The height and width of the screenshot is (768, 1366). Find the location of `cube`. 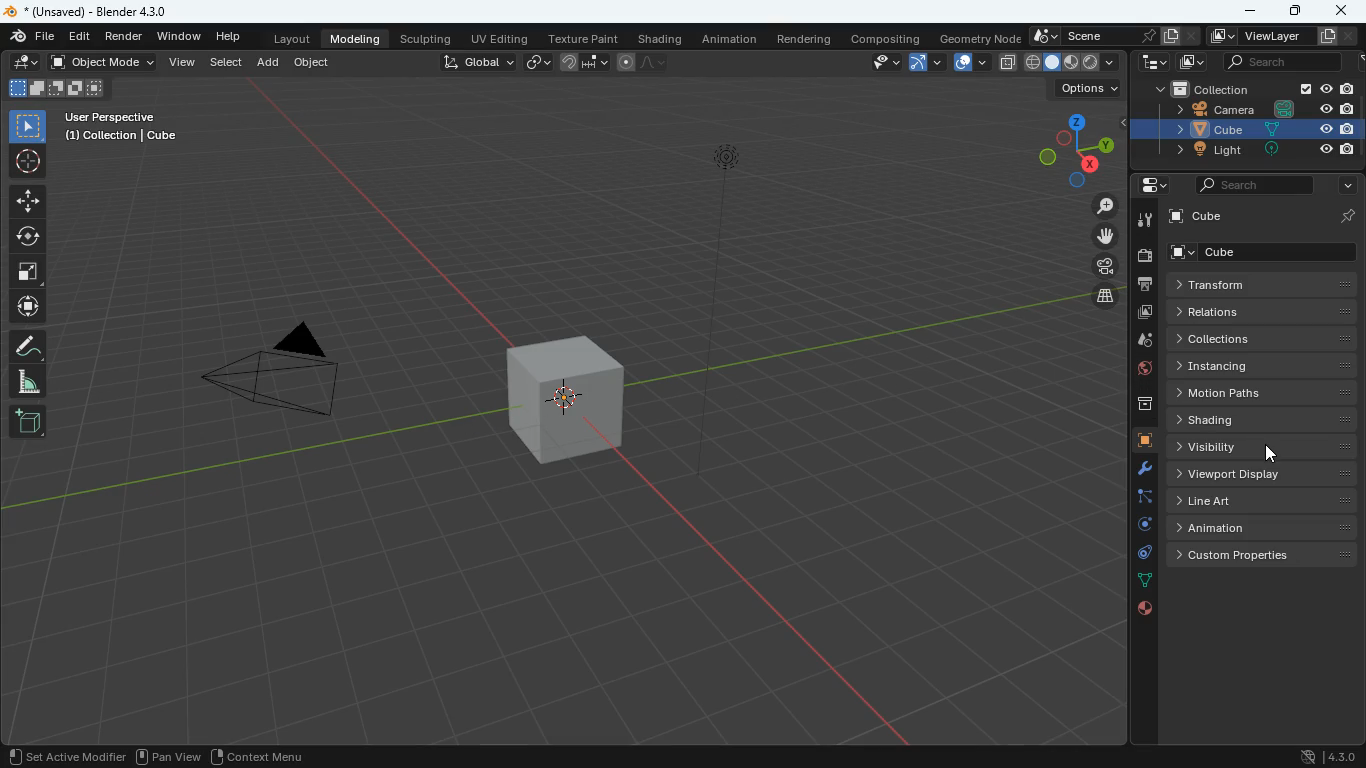

cube is located at coordinates (1242, 130).